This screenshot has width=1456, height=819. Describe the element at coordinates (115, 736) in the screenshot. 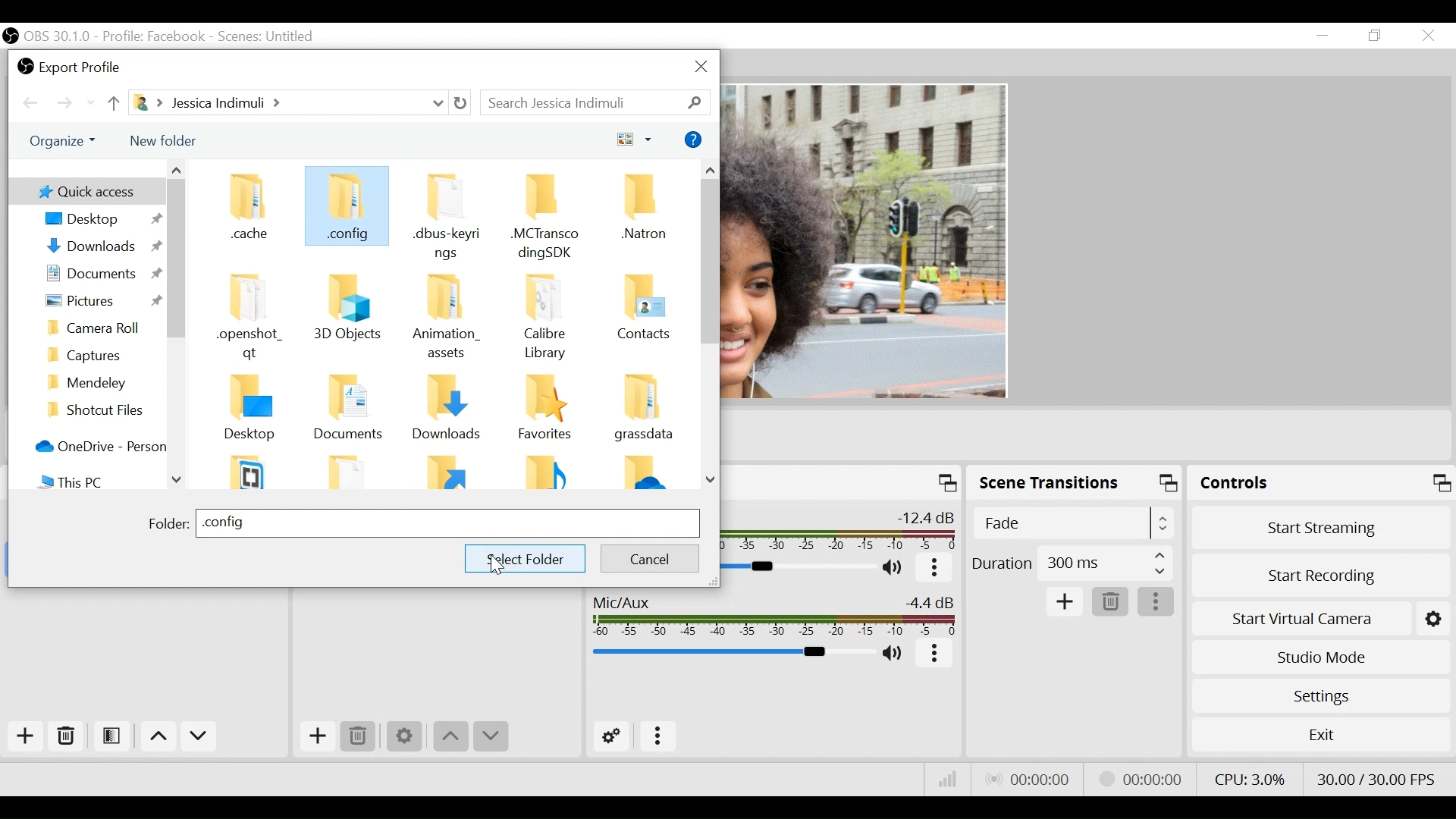

I see `Open Filter Source` at that location.